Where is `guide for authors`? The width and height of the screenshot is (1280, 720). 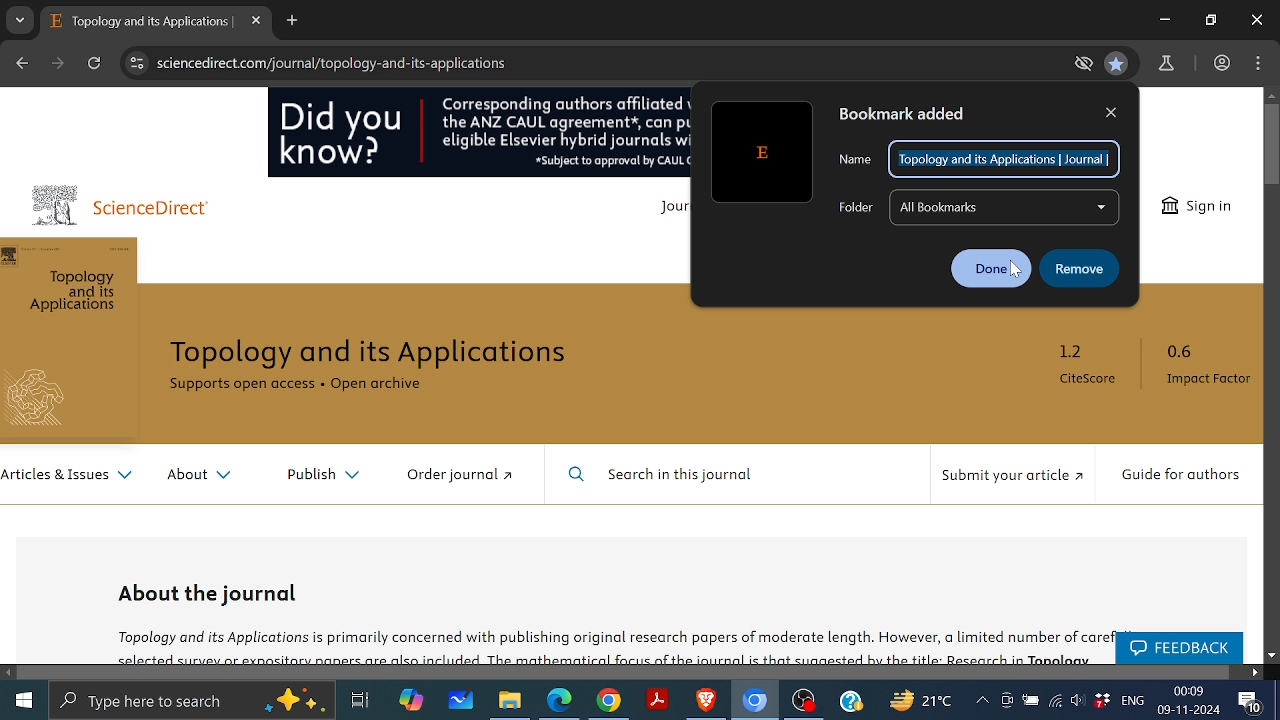
guide for authors is located at coordinates (1181, 477).